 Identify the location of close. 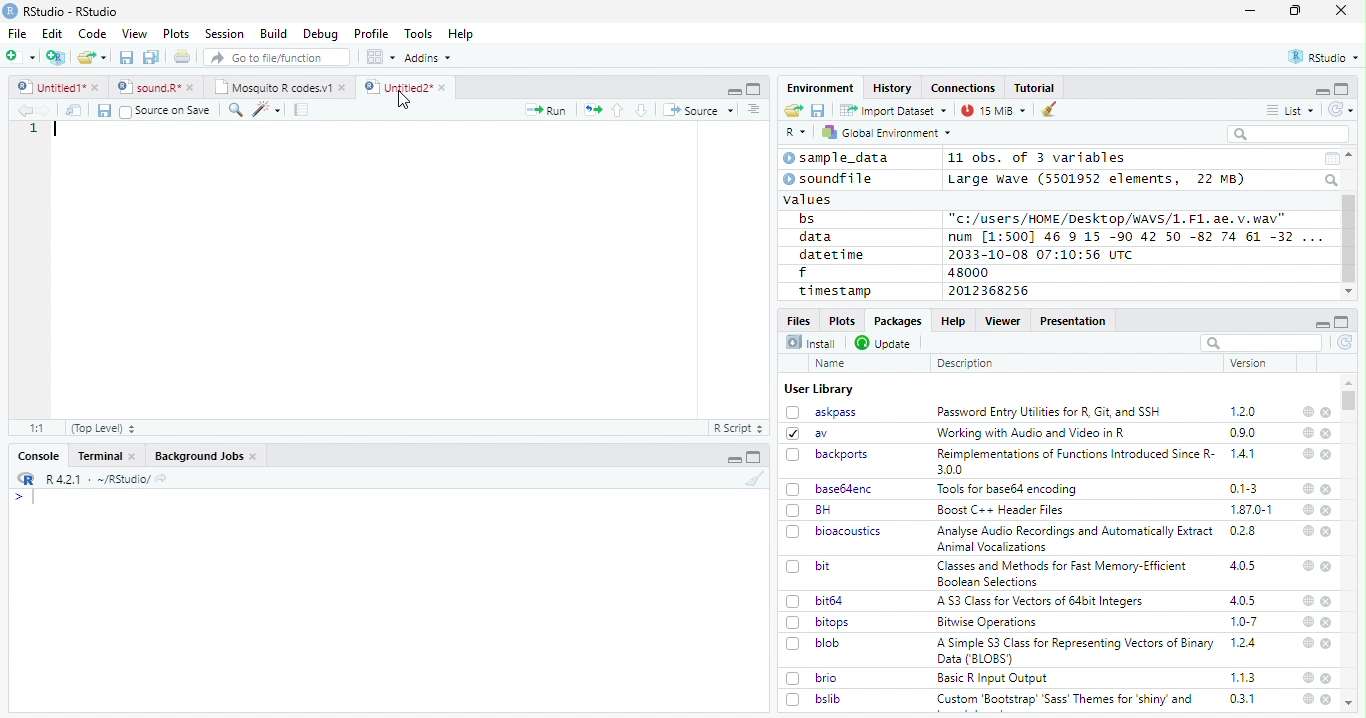
(1326, 489).